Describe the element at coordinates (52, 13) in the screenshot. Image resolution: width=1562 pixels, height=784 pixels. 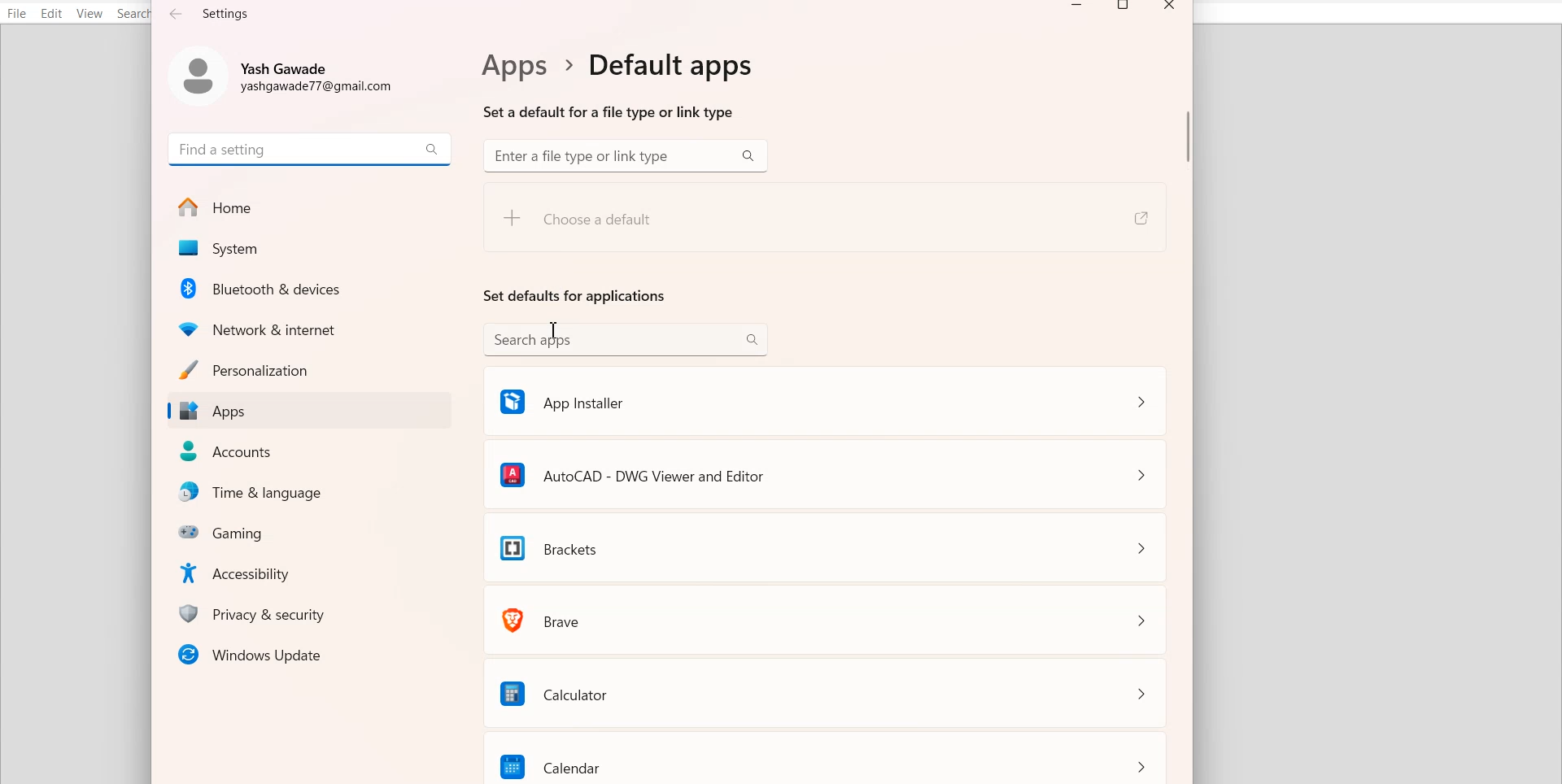
I see `Edit` at that location.